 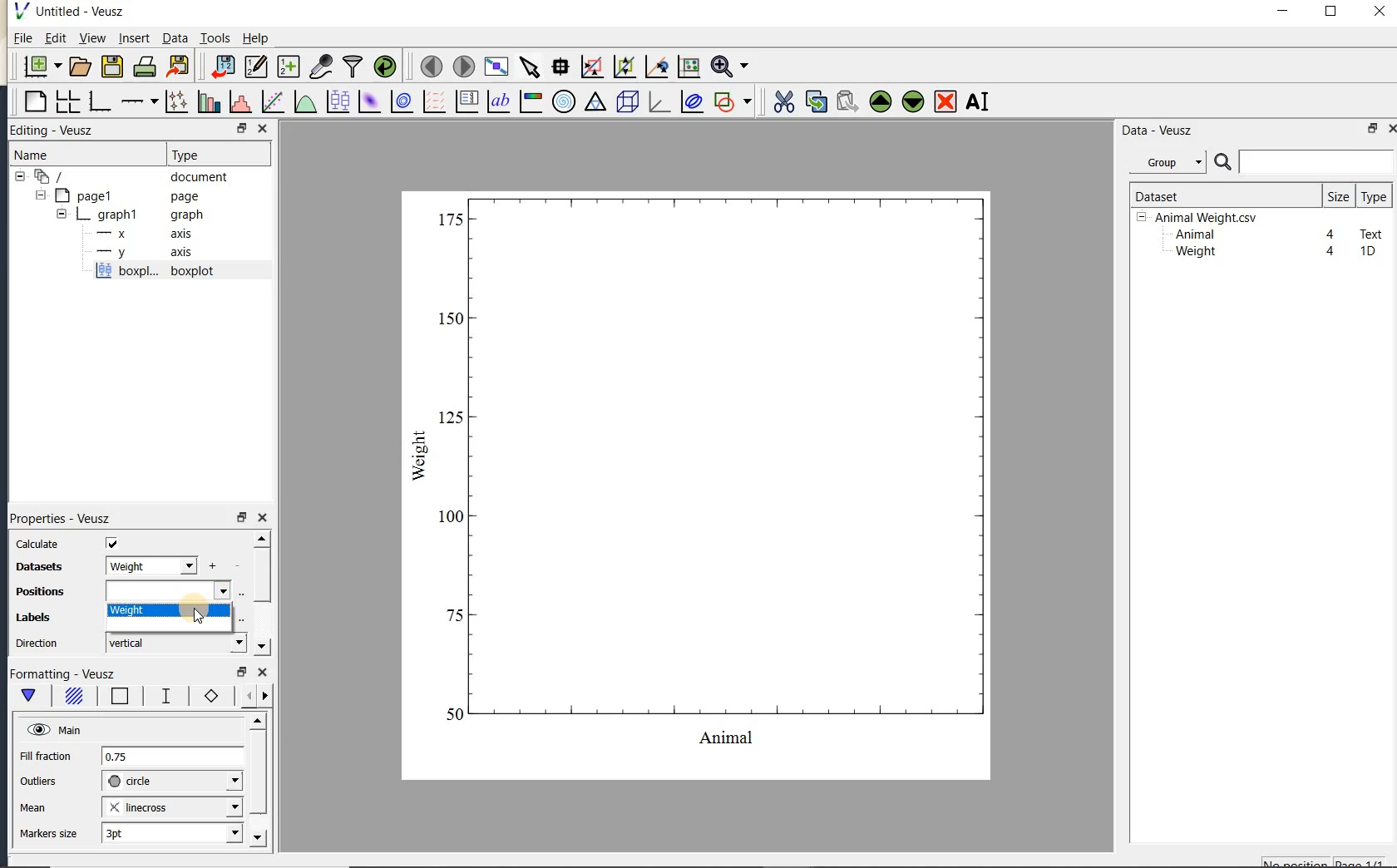 I want to click on input field, so click(x=169, y=591).